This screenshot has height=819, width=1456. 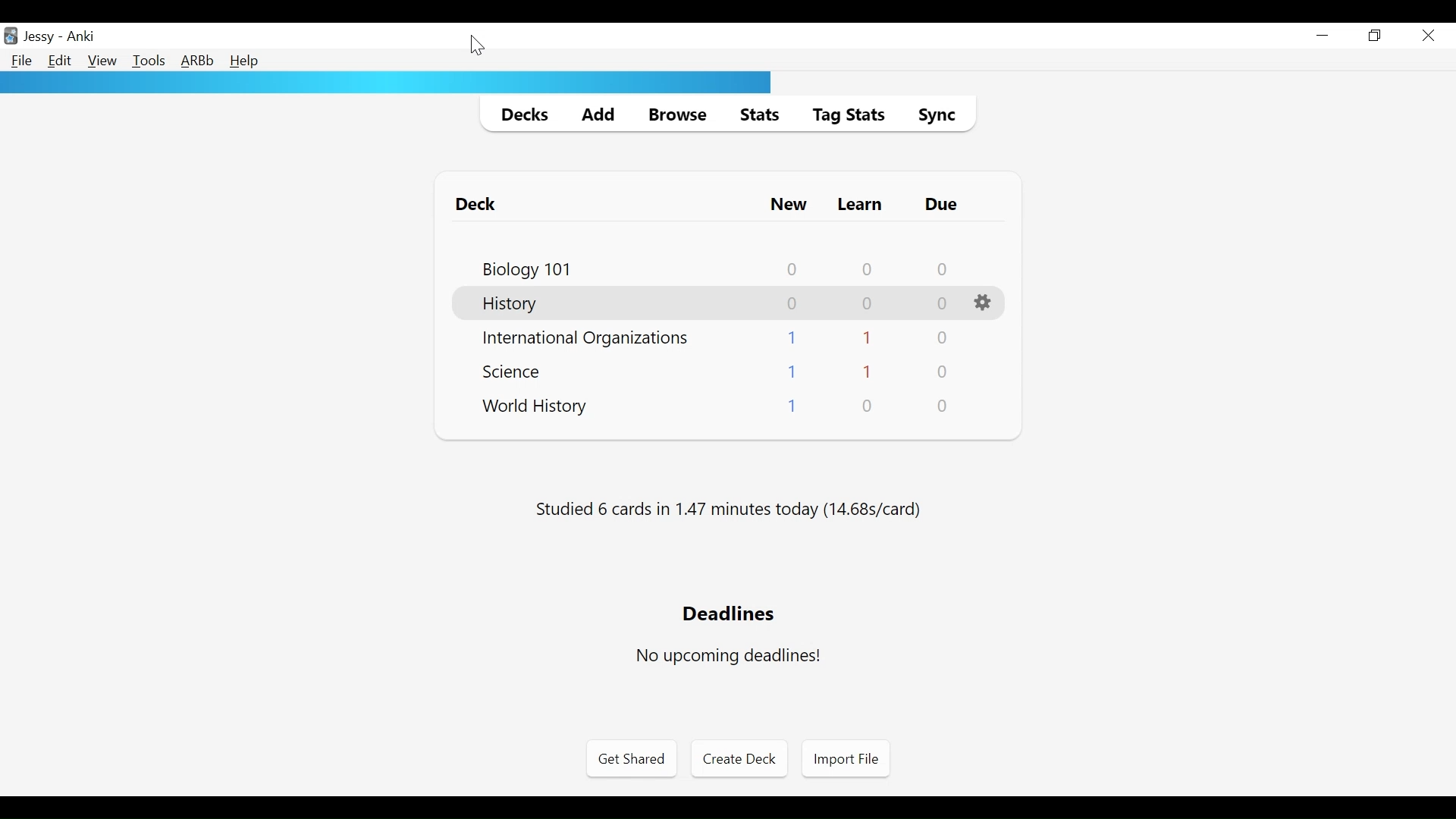 I want to click on New, so click(x=789, y=205).